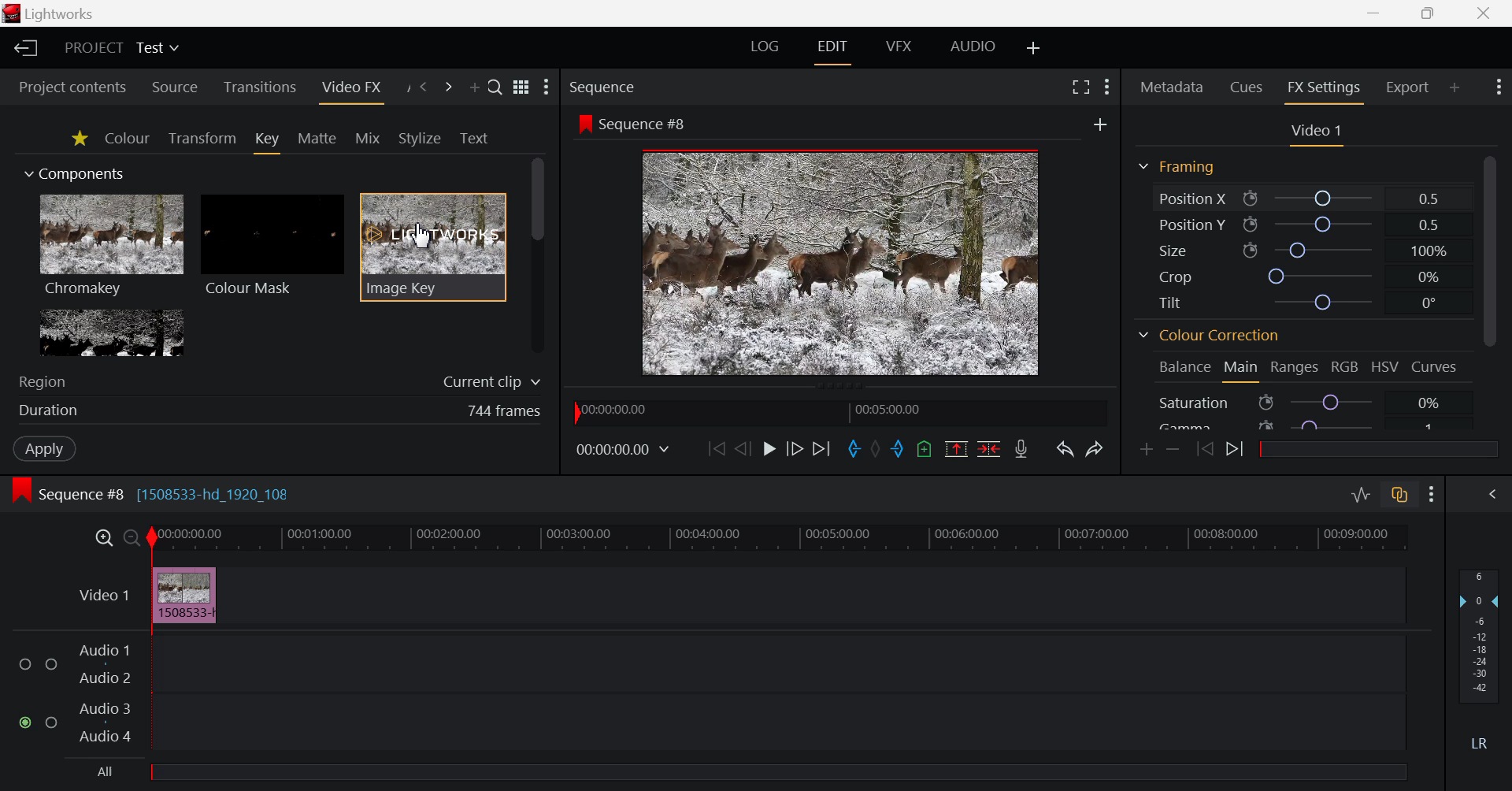 Image resolution: width=1512 pixels, height=791 pixels. Describe the element at coordinates (263, 85) in the screenshot. I see `Transitions` at that location.